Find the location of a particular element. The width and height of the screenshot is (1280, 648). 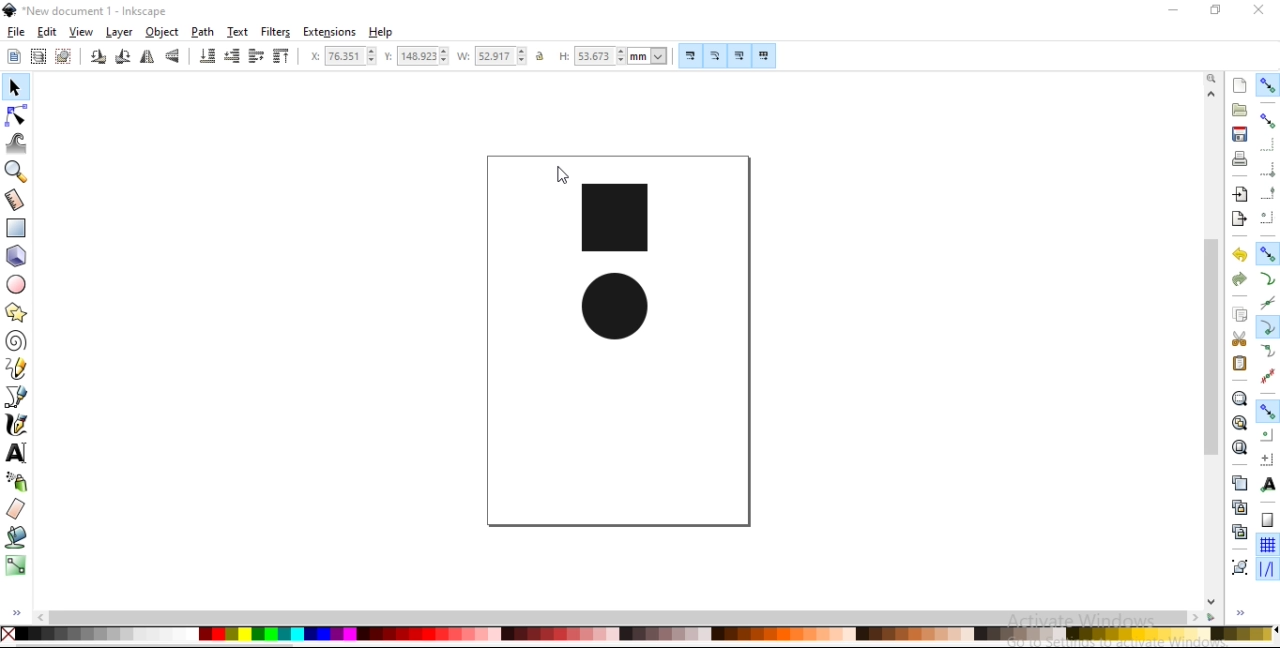

snap midpoints of bounding box edges is located at coordinates (1268, 194).